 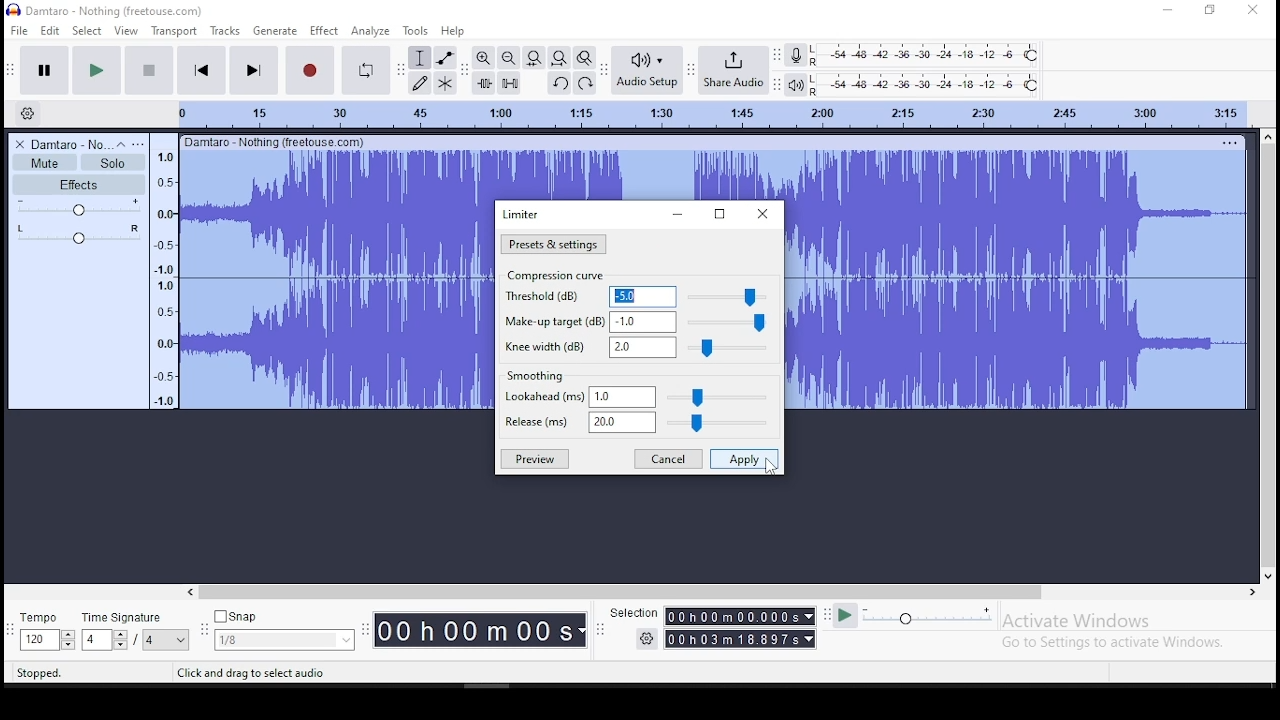 I want to click on fit file to width, so click(x=534, y=57).